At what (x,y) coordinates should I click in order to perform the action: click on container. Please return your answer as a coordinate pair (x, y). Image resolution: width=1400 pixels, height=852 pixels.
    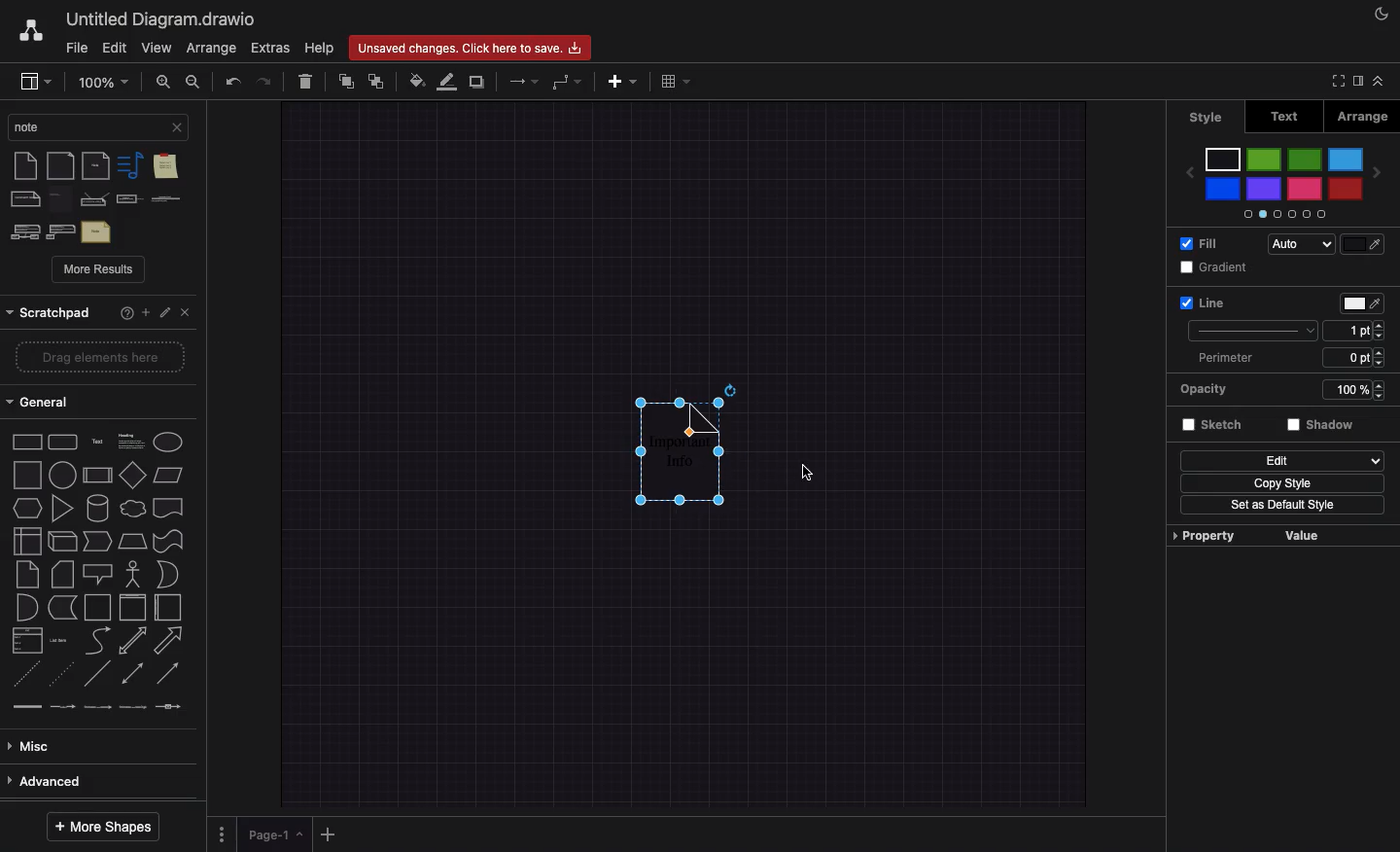
    Looking at the image, I should click on (97, 607).